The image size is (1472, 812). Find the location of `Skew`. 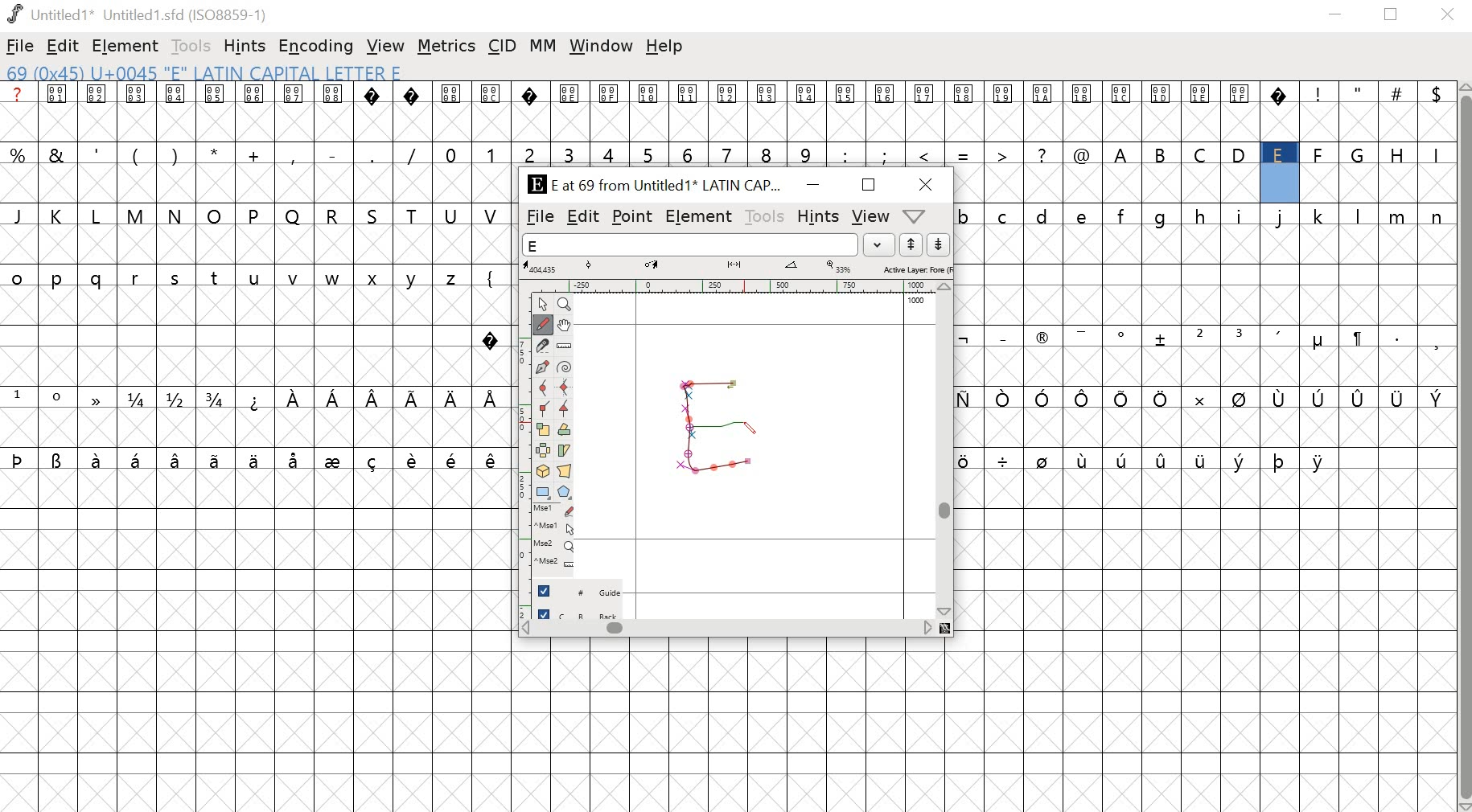

Skew is located at coordinates (566, 450).